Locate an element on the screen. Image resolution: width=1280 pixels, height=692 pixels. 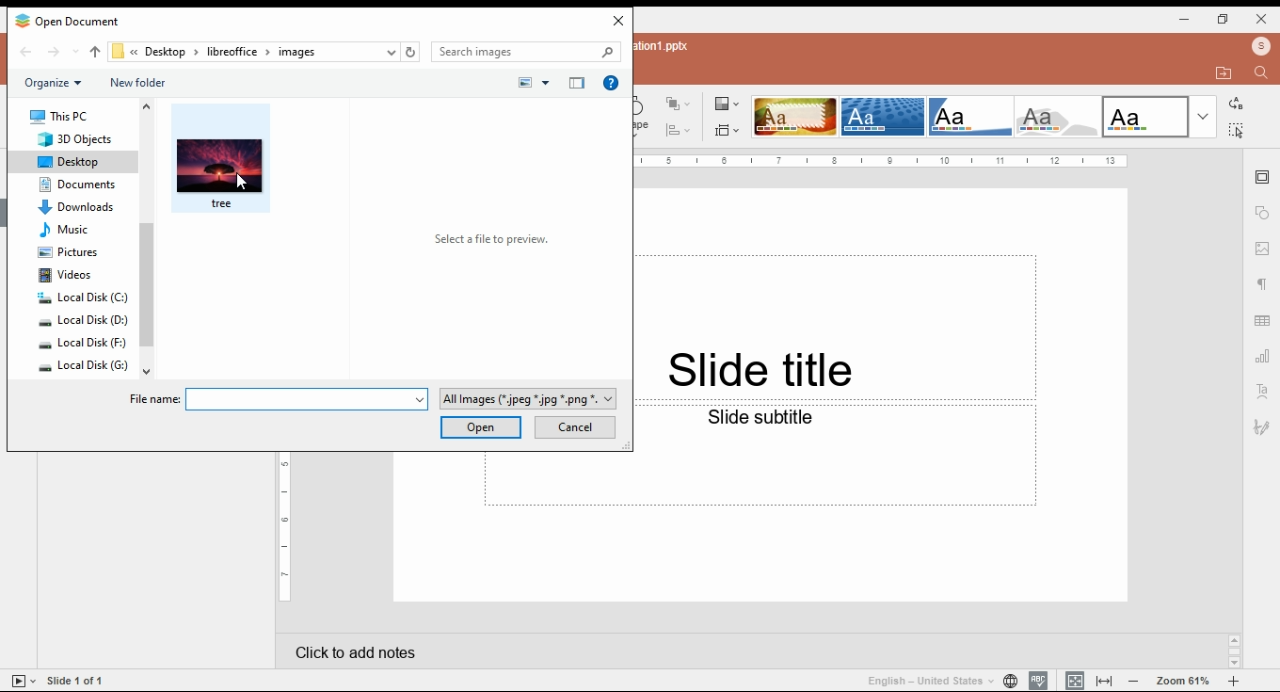
click to add notes is located at coordinates (732, 647).